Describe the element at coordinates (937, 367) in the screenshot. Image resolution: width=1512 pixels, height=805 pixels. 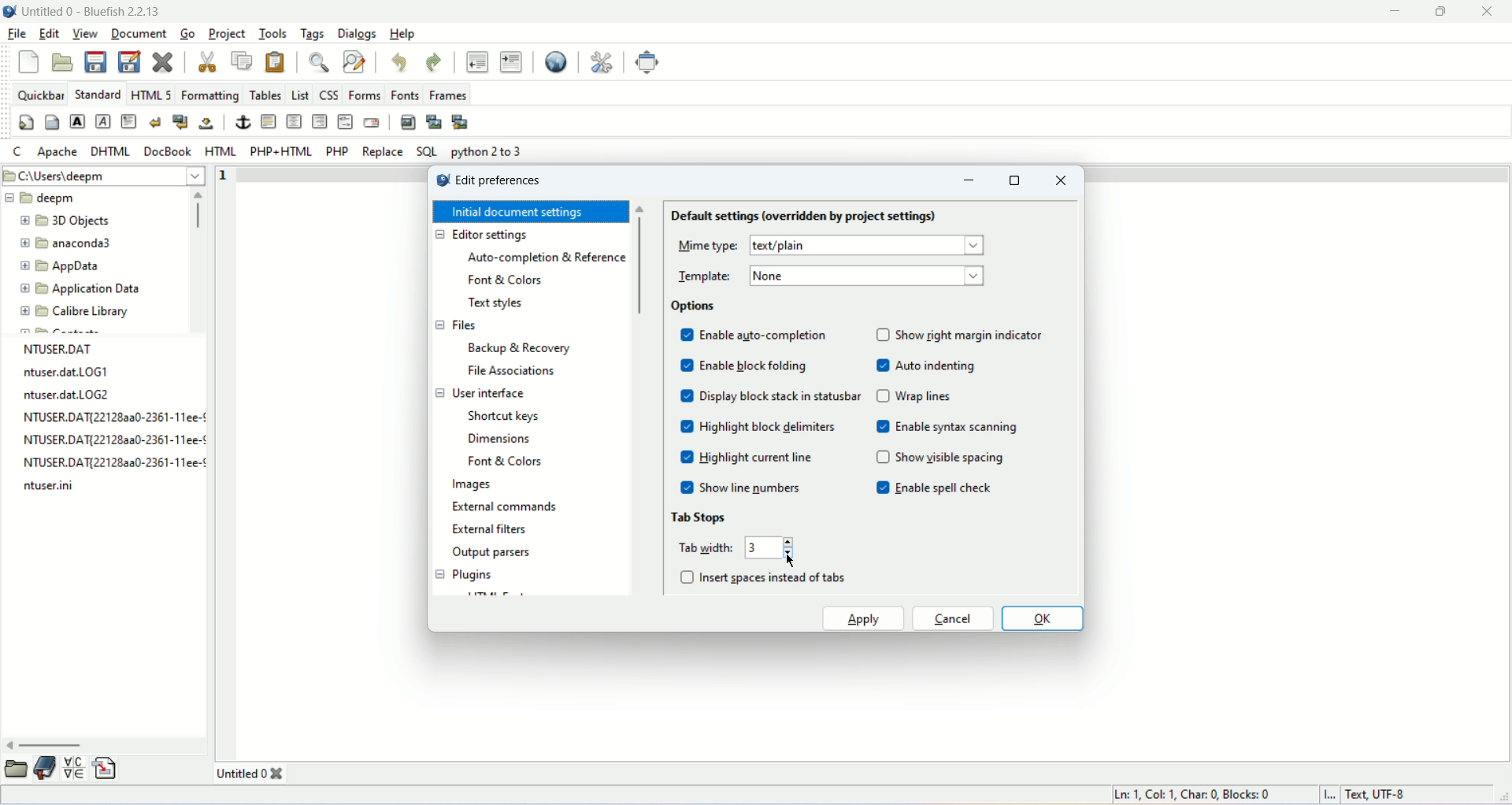
I see `auto indenting` at that location.